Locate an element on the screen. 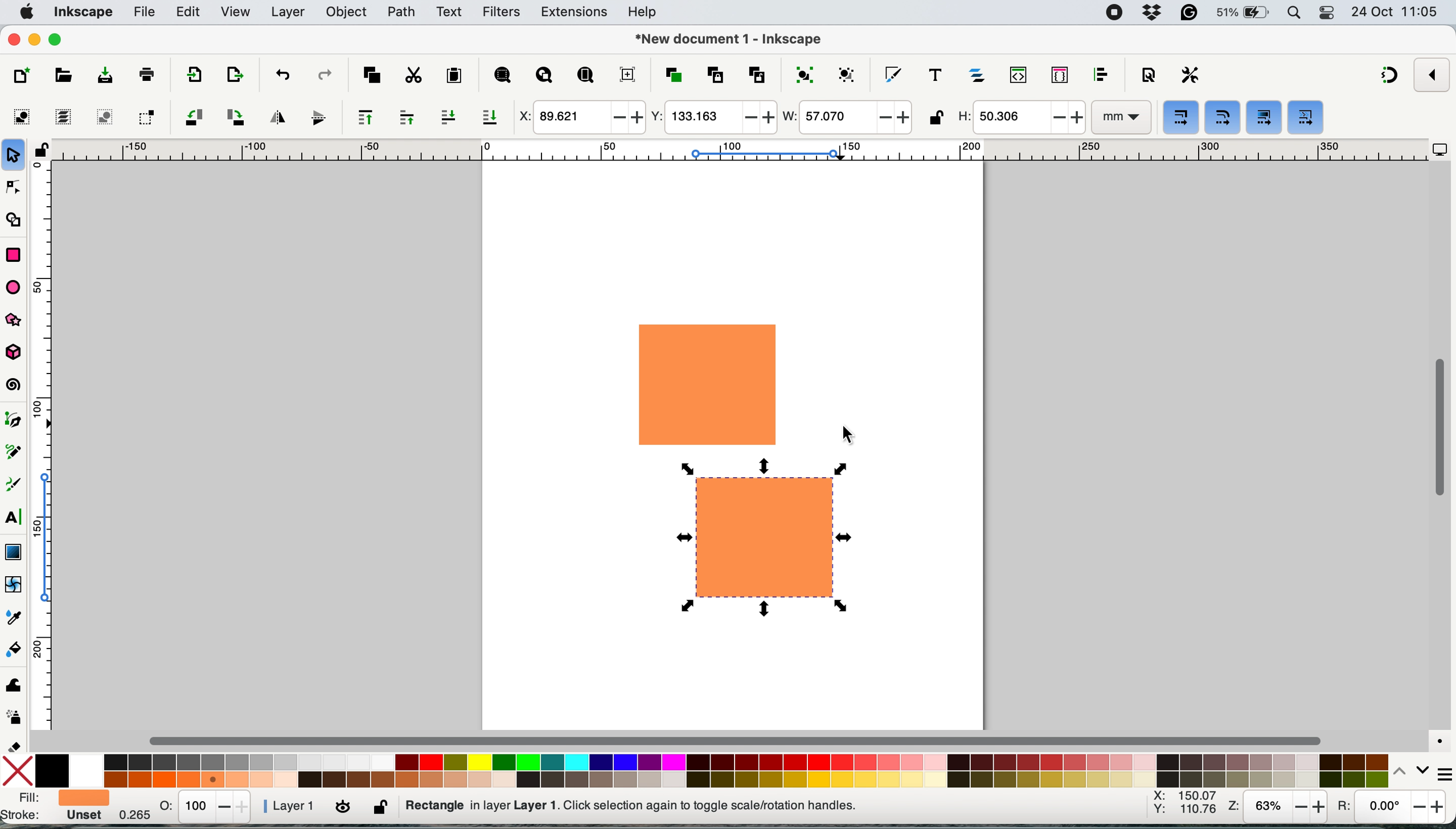 The image size is (1456, 829). text is located at coordinates (450, 12).